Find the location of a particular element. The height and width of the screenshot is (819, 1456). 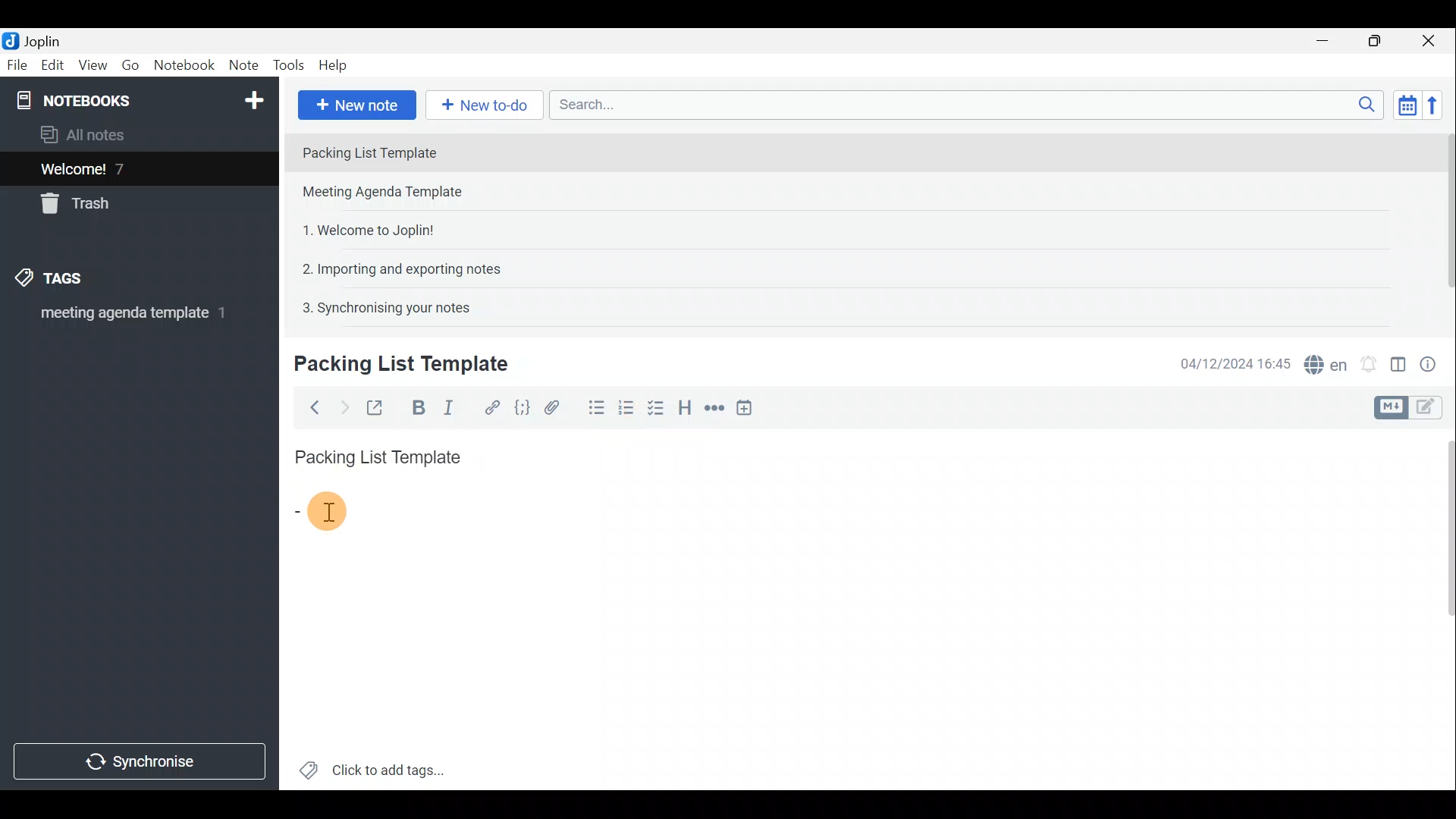

Note properties is located at coordinates (1433, 362).